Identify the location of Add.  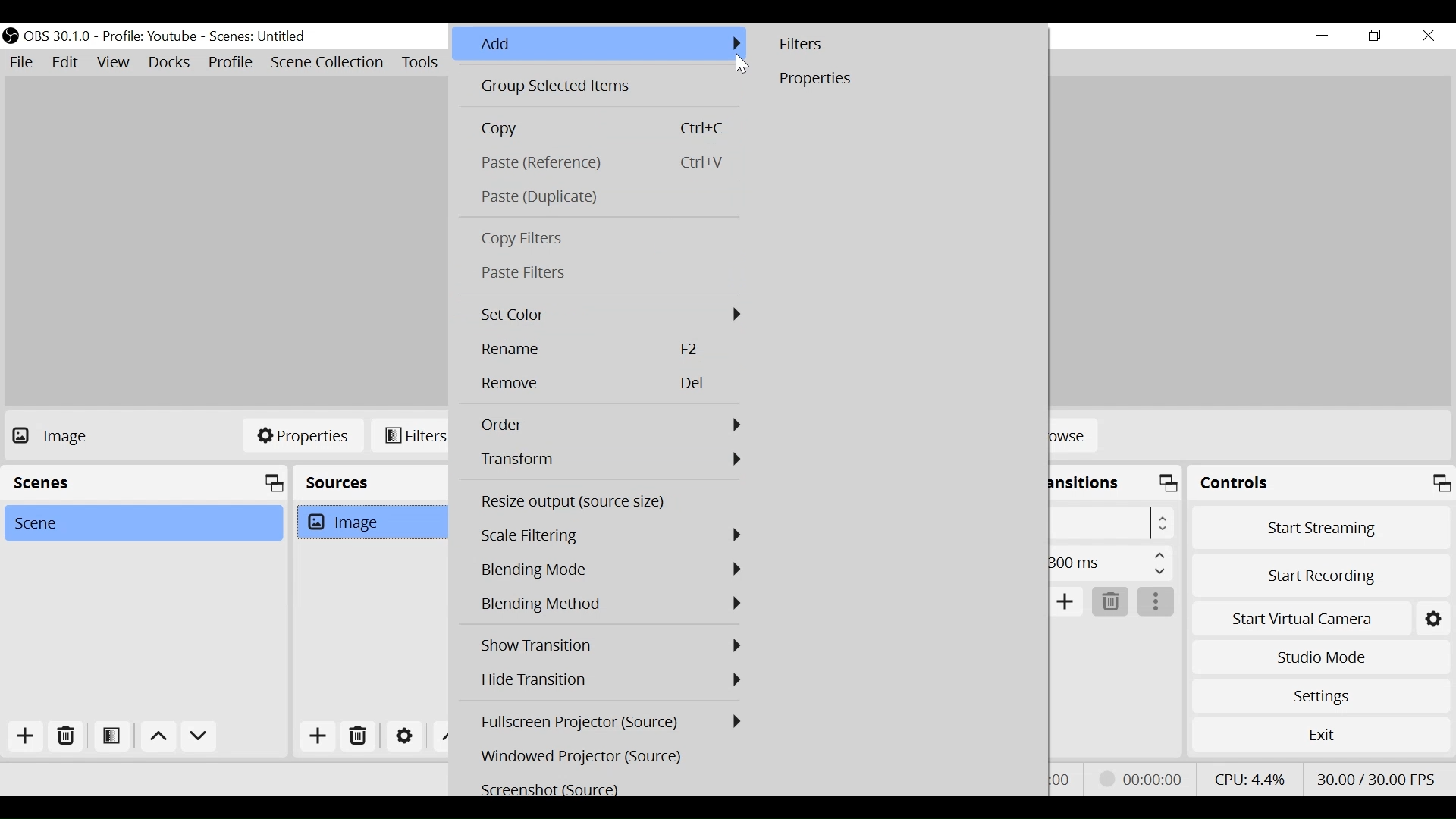
(31, 737).